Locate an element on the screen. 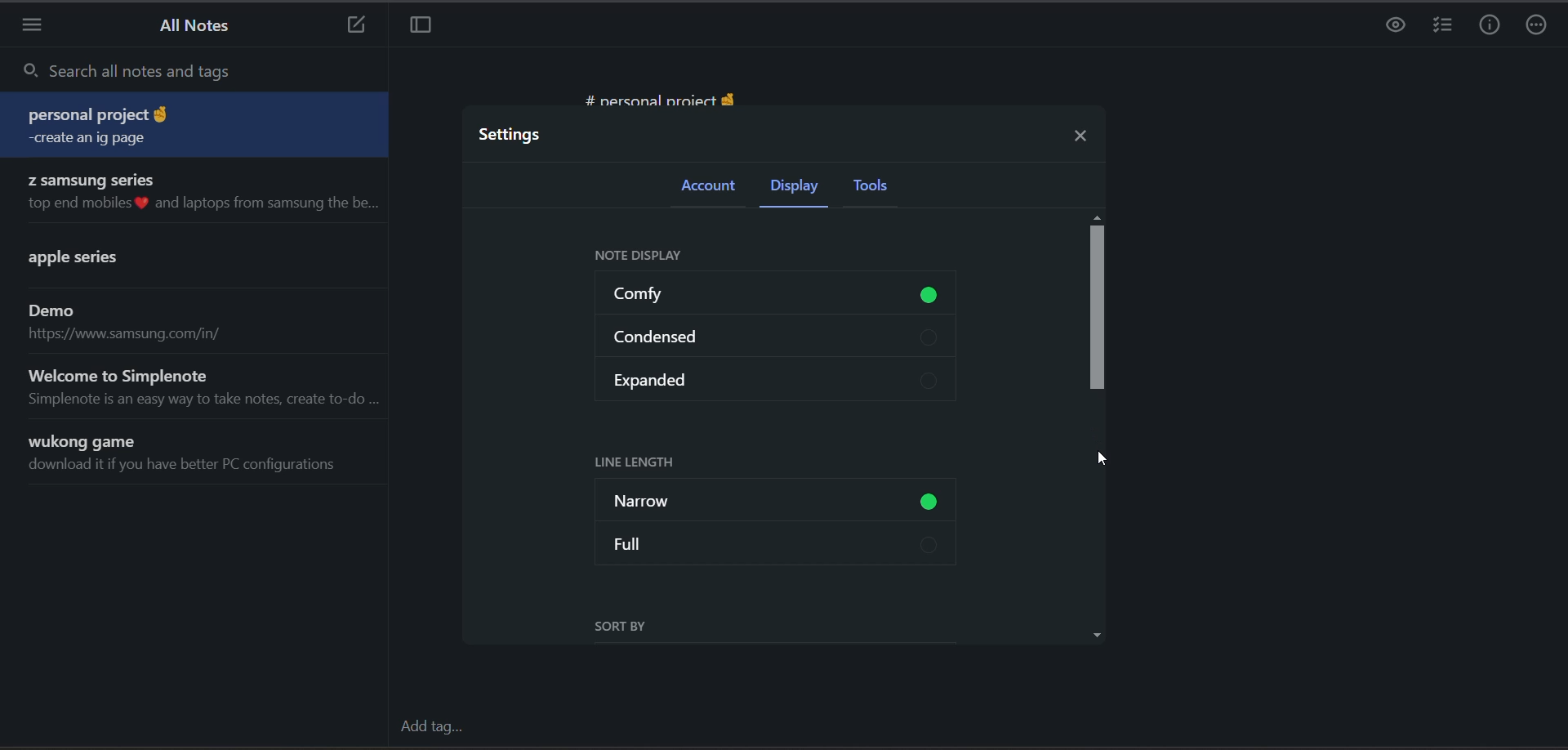  toggle focus mode is located at coordinates (421, 25).